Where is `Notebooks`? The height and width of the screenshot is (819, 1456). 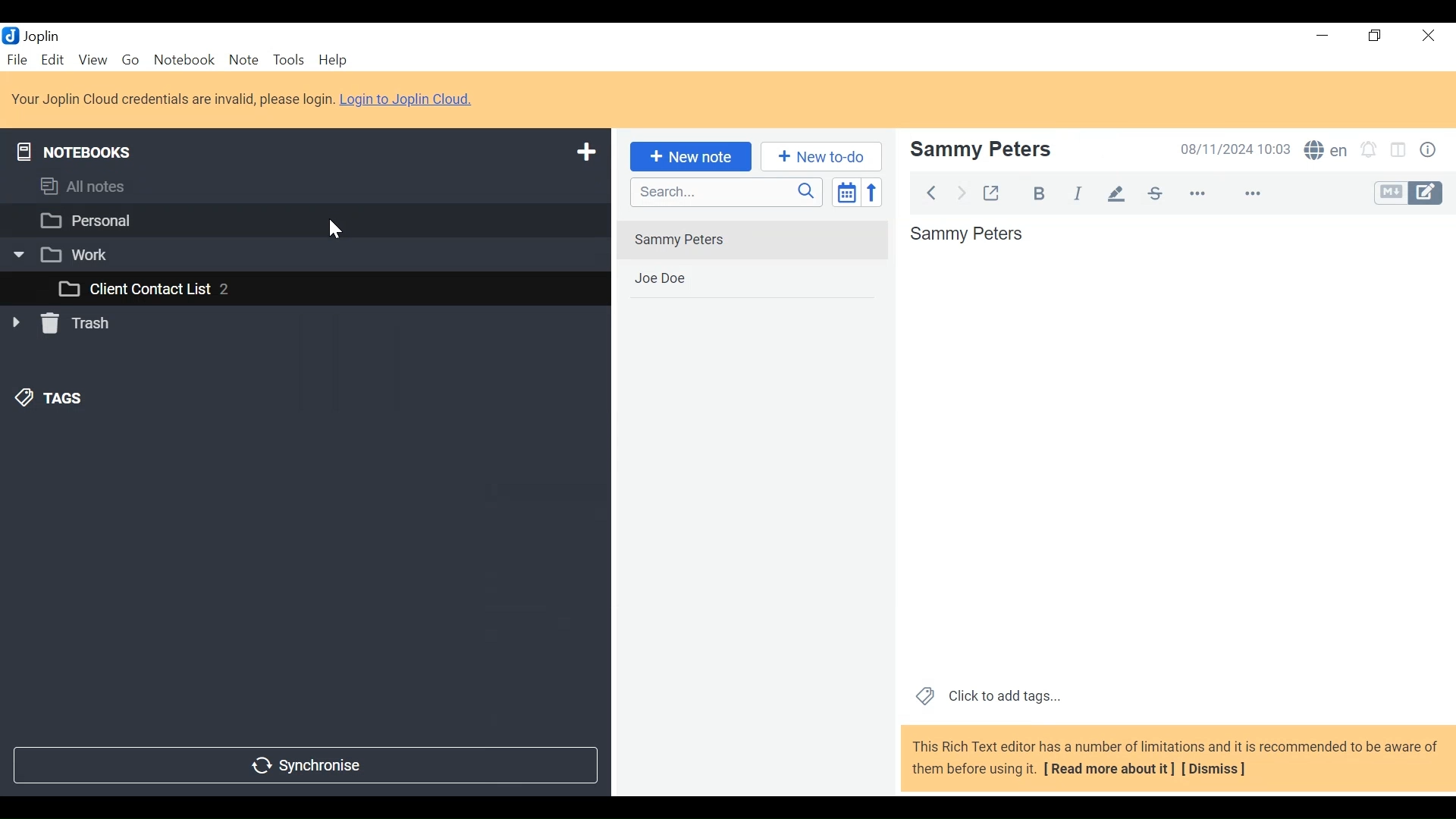 Notebooks is located at coordinates (72, 152).